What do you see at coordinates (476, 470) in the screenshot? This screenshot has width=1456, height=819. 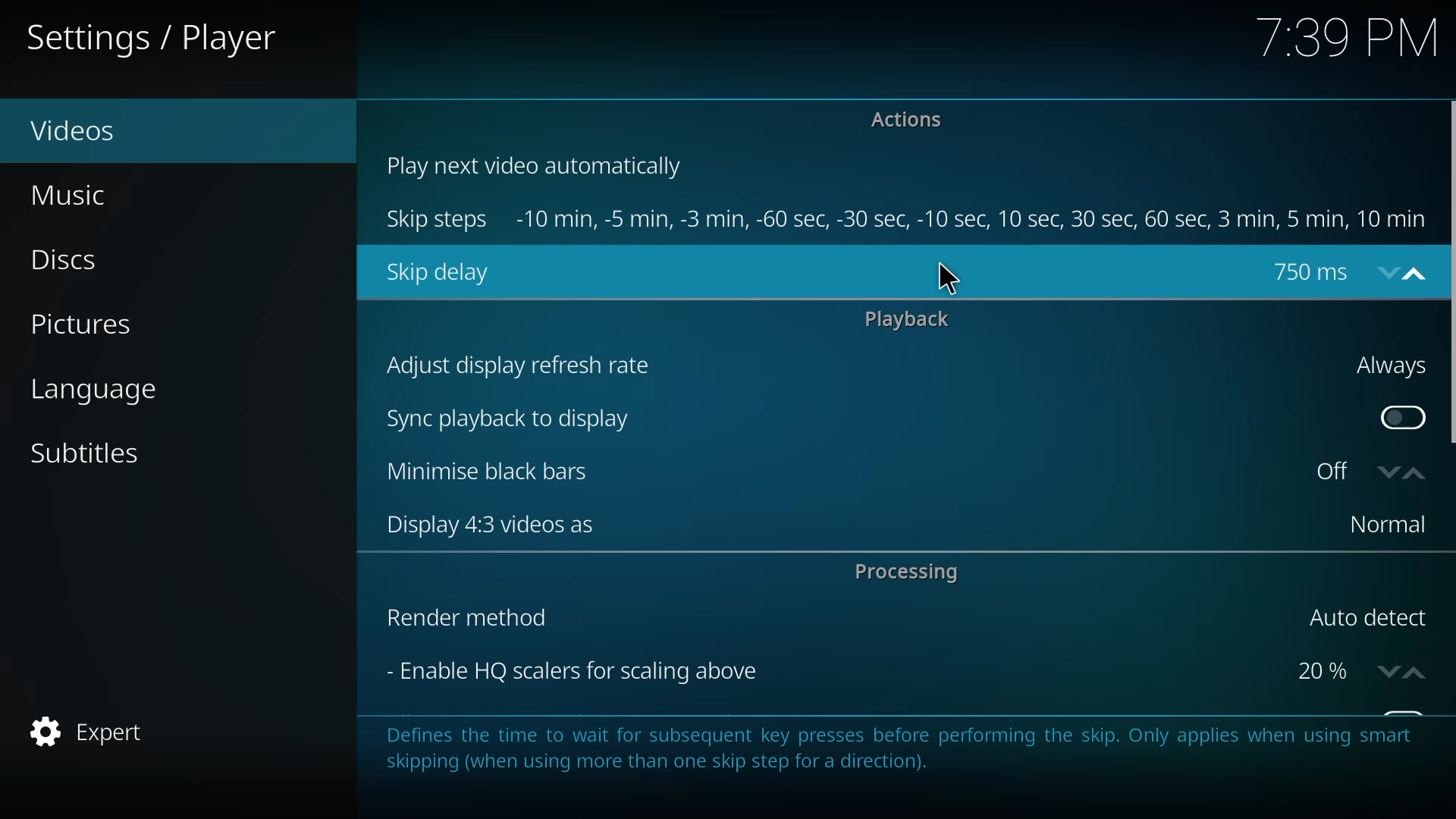 I see `minimise black bars` at bounding box center [476, 470].